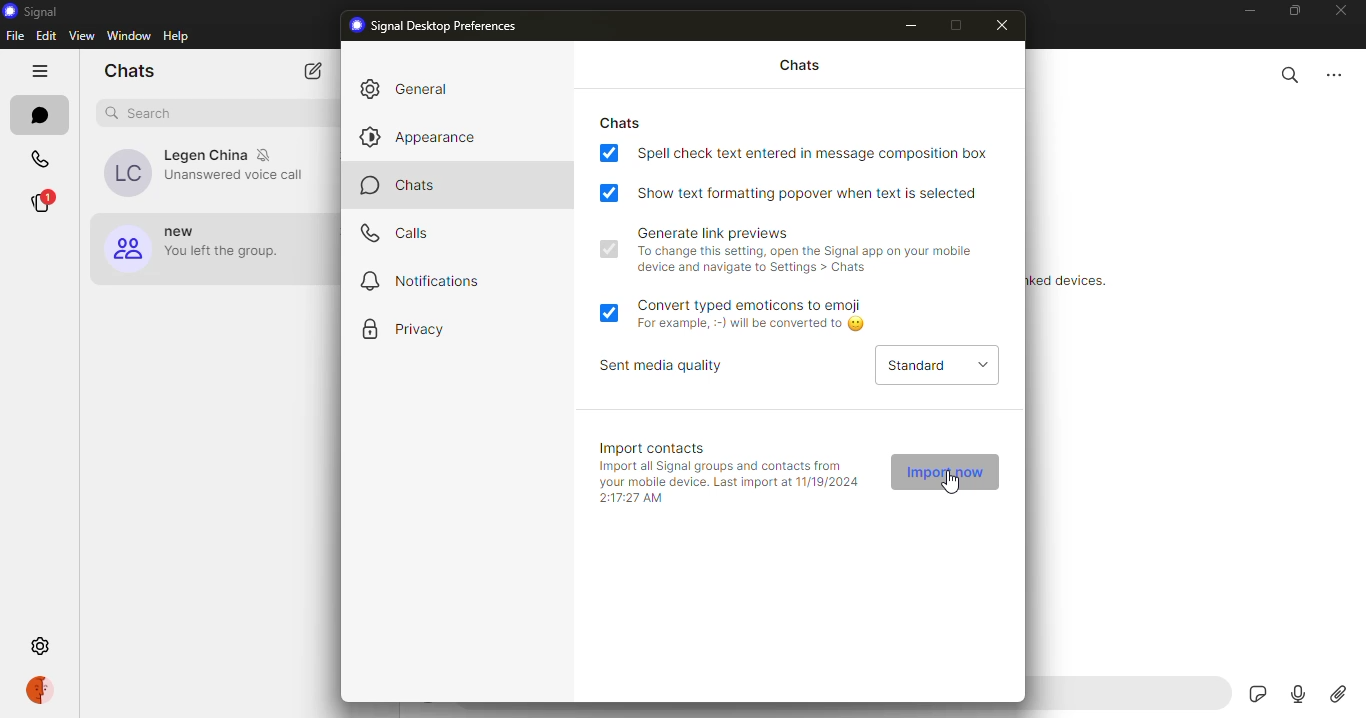  What do you see at coordinates (910, 26) in the screenshot?
I see `minimize` at bounding box center [910, 26].